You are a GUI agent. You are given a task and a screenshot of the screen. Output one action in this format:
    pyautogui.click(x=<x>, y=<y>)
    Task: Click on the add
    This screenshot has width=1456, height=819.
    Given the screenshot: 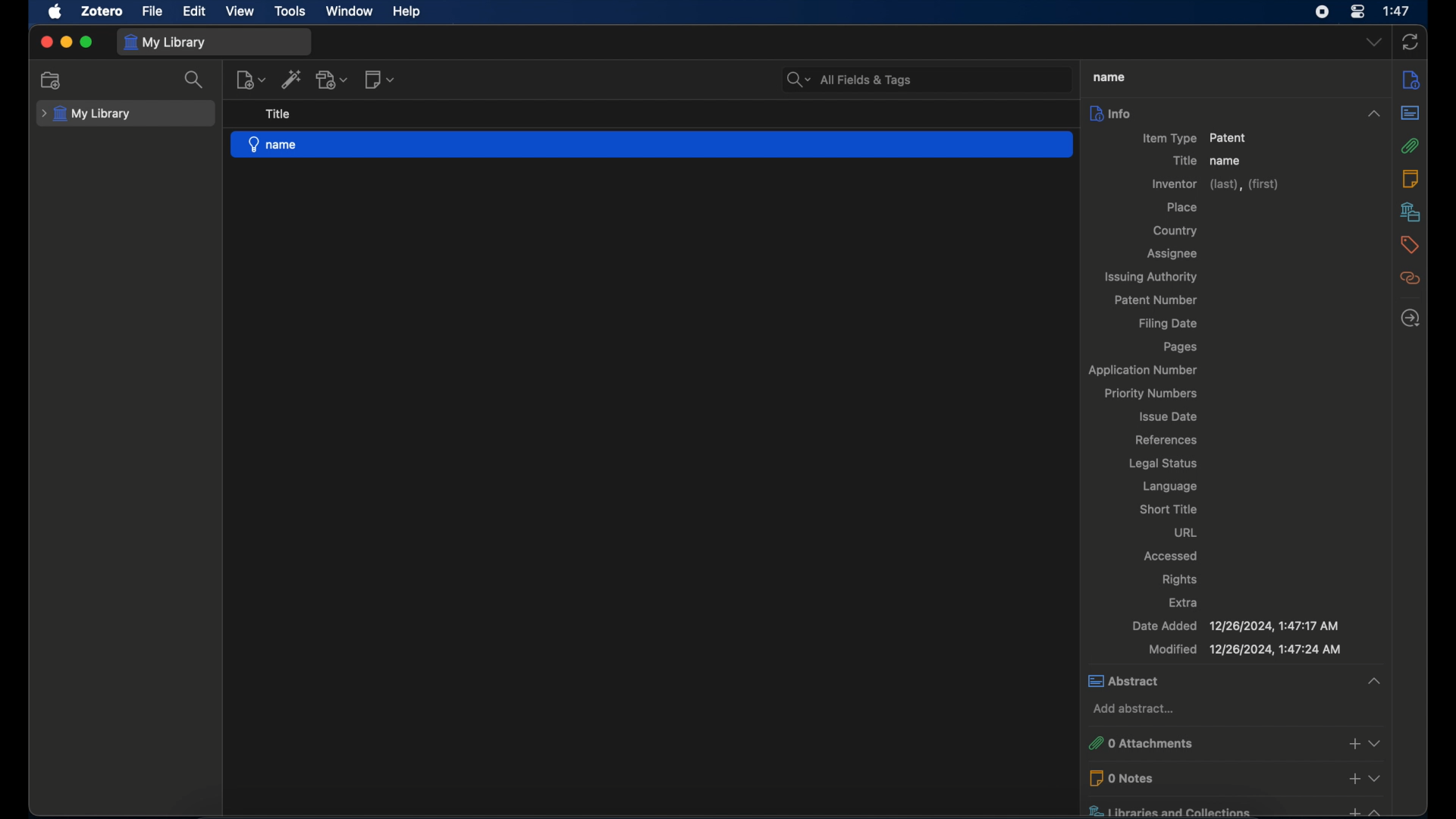 What is the action you would take?
    pyautogui.click(x=1354, y=741)
    